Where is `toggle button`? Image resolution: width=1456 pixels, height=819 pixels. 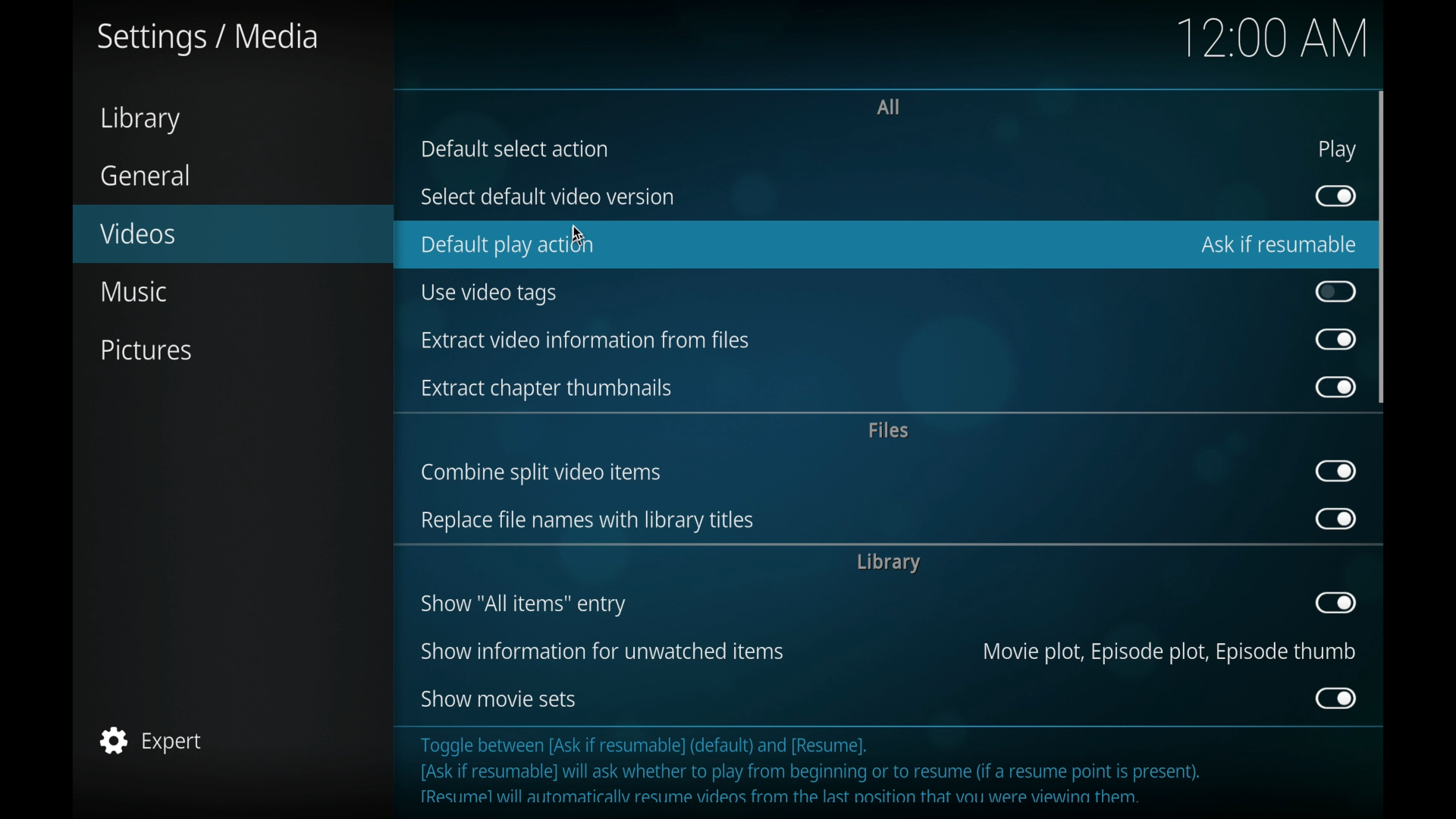
toggle button is located at coordinates (1336, 698).